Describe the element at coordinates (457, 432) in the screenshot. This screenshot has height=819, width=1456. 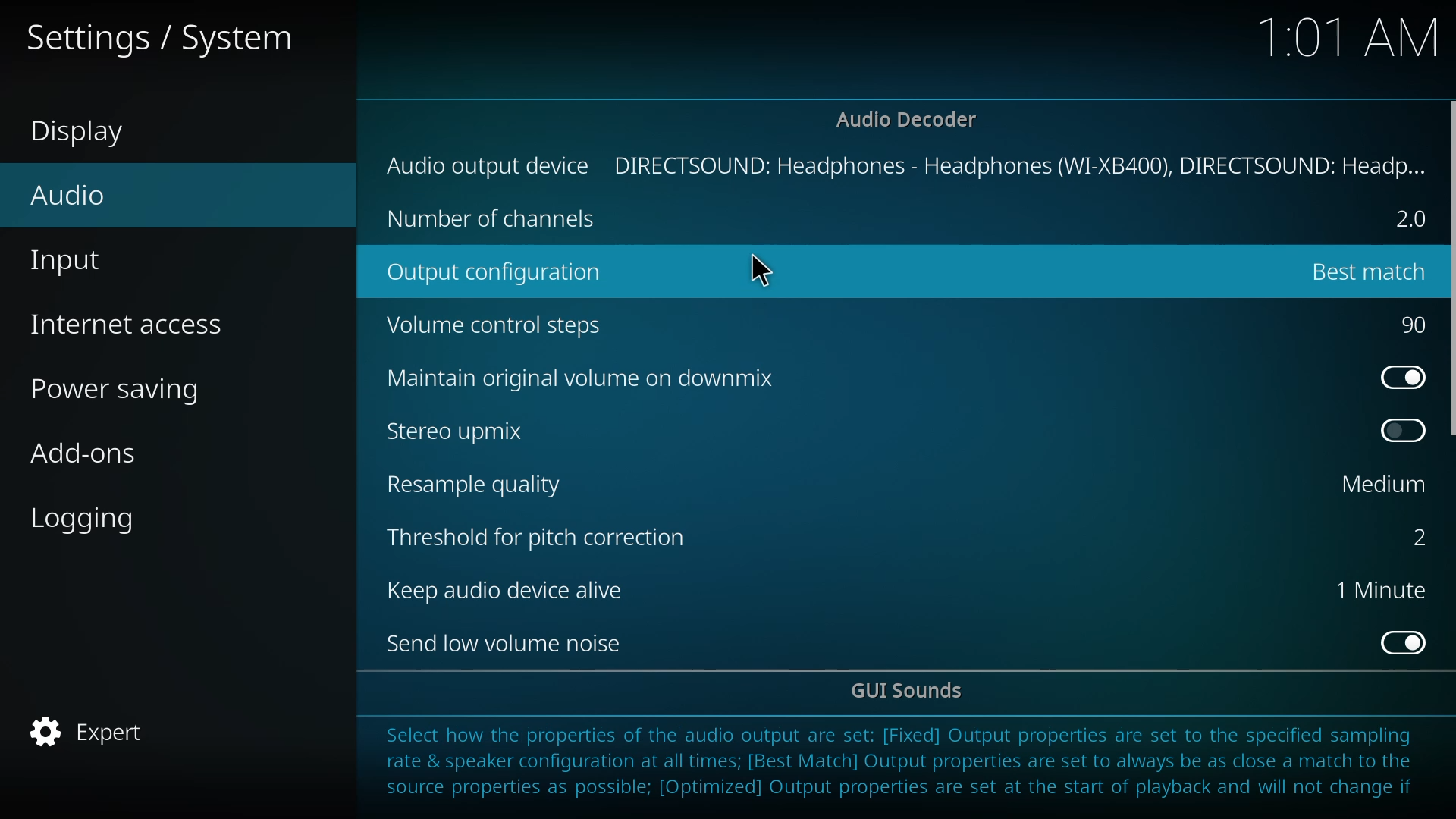
I see `stereo upmix` at that location.